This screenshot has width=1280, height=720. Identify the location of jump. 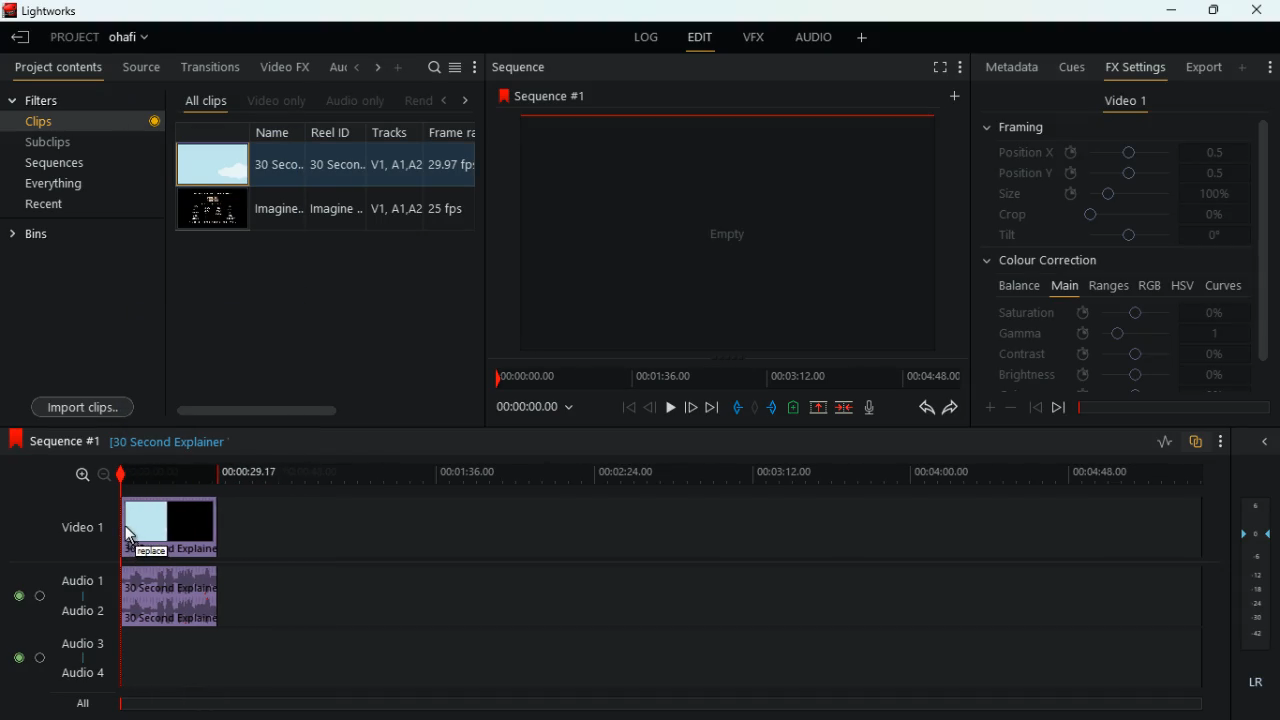
(690, 408).